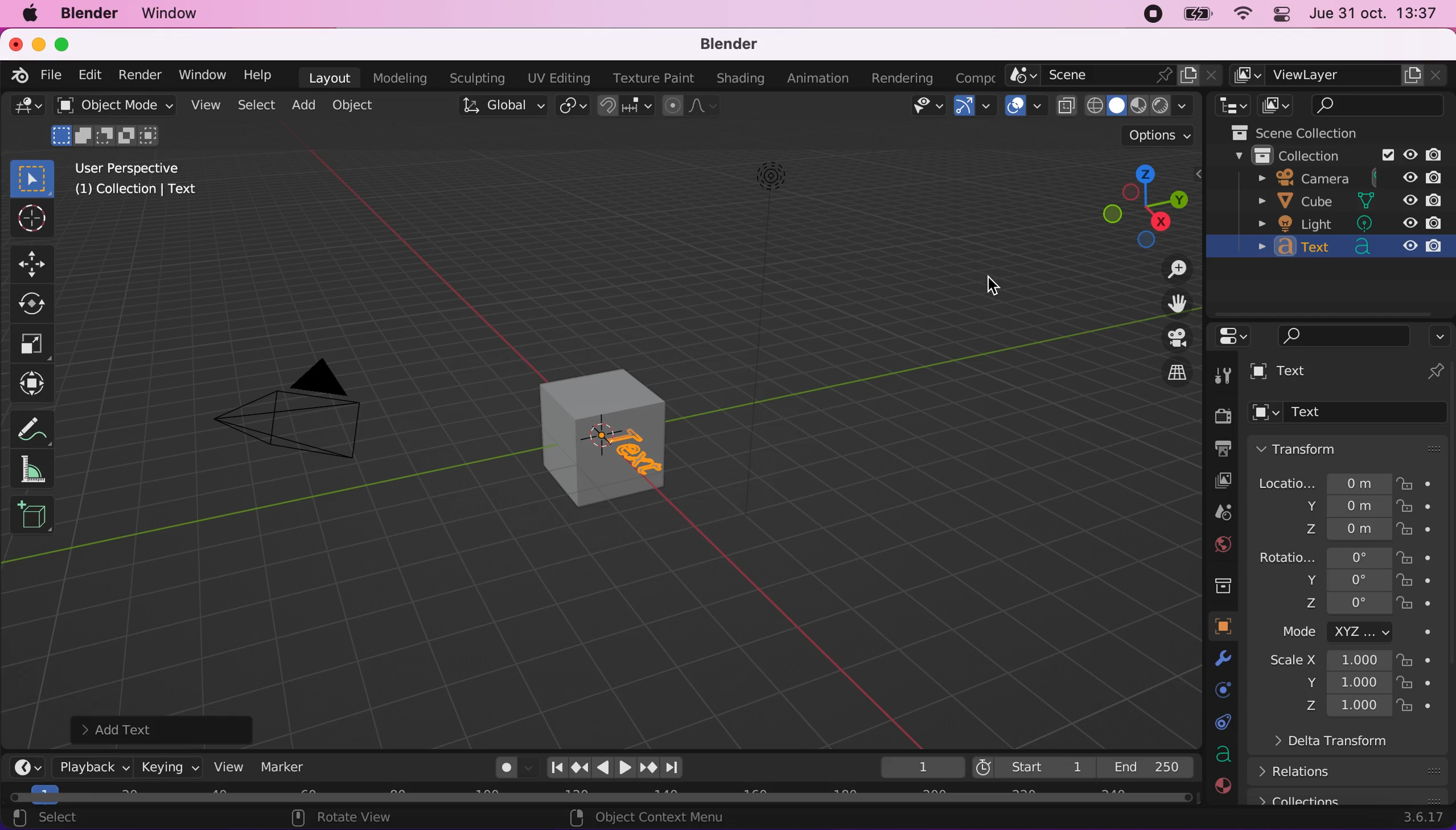 The height and width of the screenshot is (830, 1456). What do you see at coordinates (34, 178) in the screenshot?
I see `select box` at bounding box center [34, 178].